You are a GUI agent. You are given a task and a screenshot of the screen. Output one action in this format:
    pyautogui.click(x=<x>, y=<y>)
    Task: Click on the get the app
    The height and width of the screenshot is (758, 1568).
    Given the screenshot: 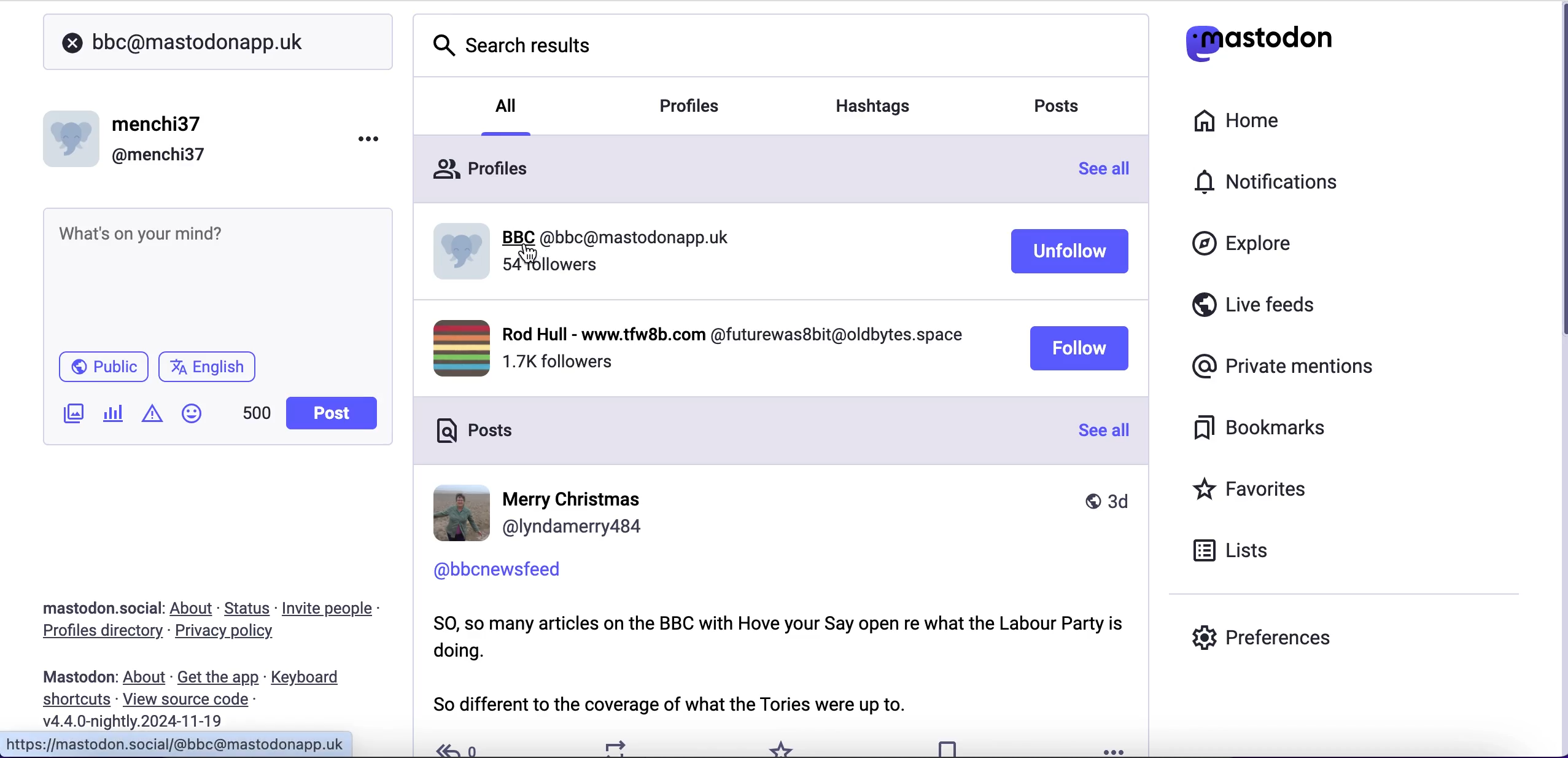 What is the action you would take?
    pyautogui.click(x=217, y=677)
    